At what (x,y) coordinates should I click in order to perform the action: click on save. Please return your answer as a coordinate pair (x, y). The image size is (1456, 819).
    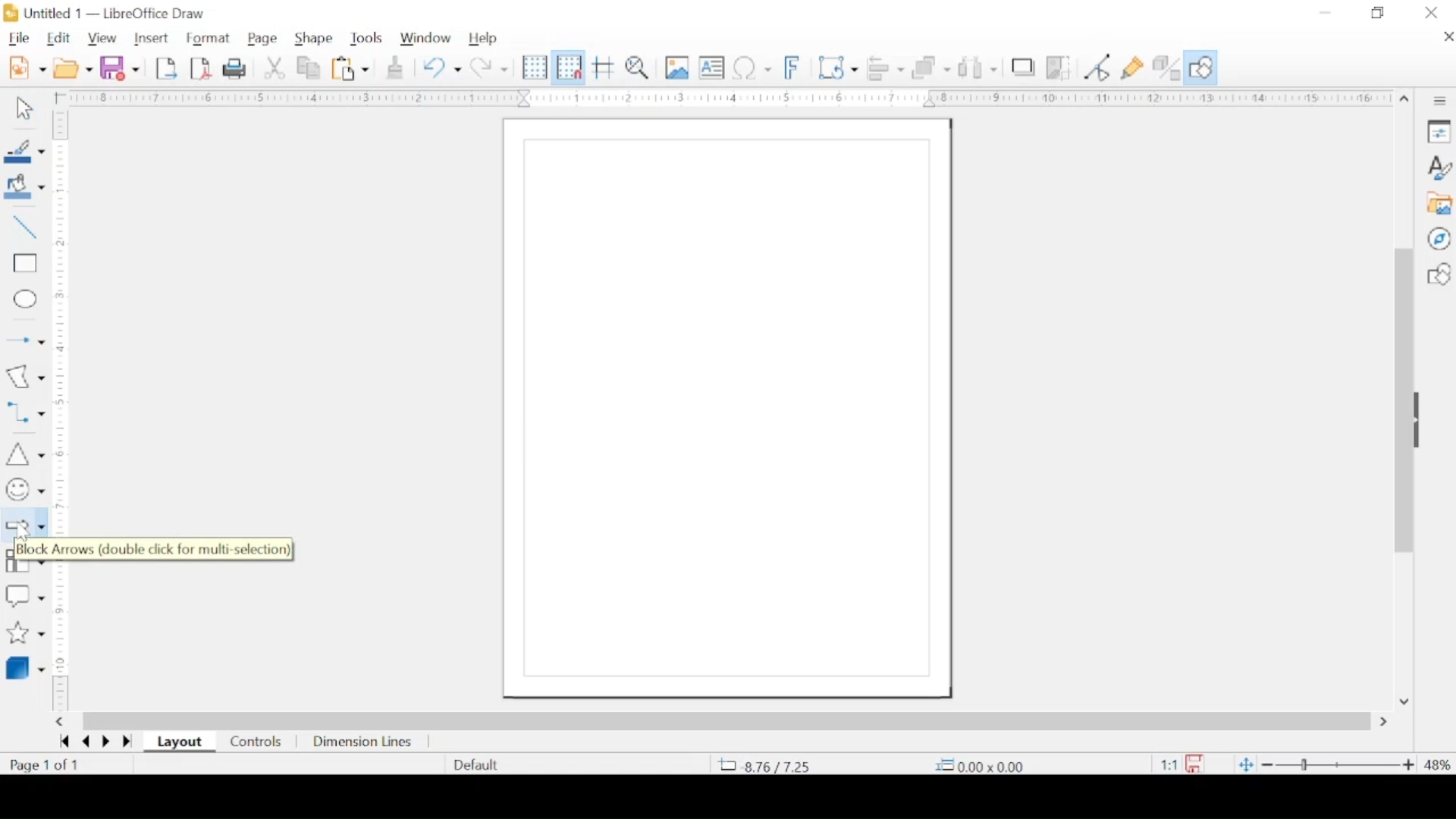
    Looking at the image, I should click on (120, 67).